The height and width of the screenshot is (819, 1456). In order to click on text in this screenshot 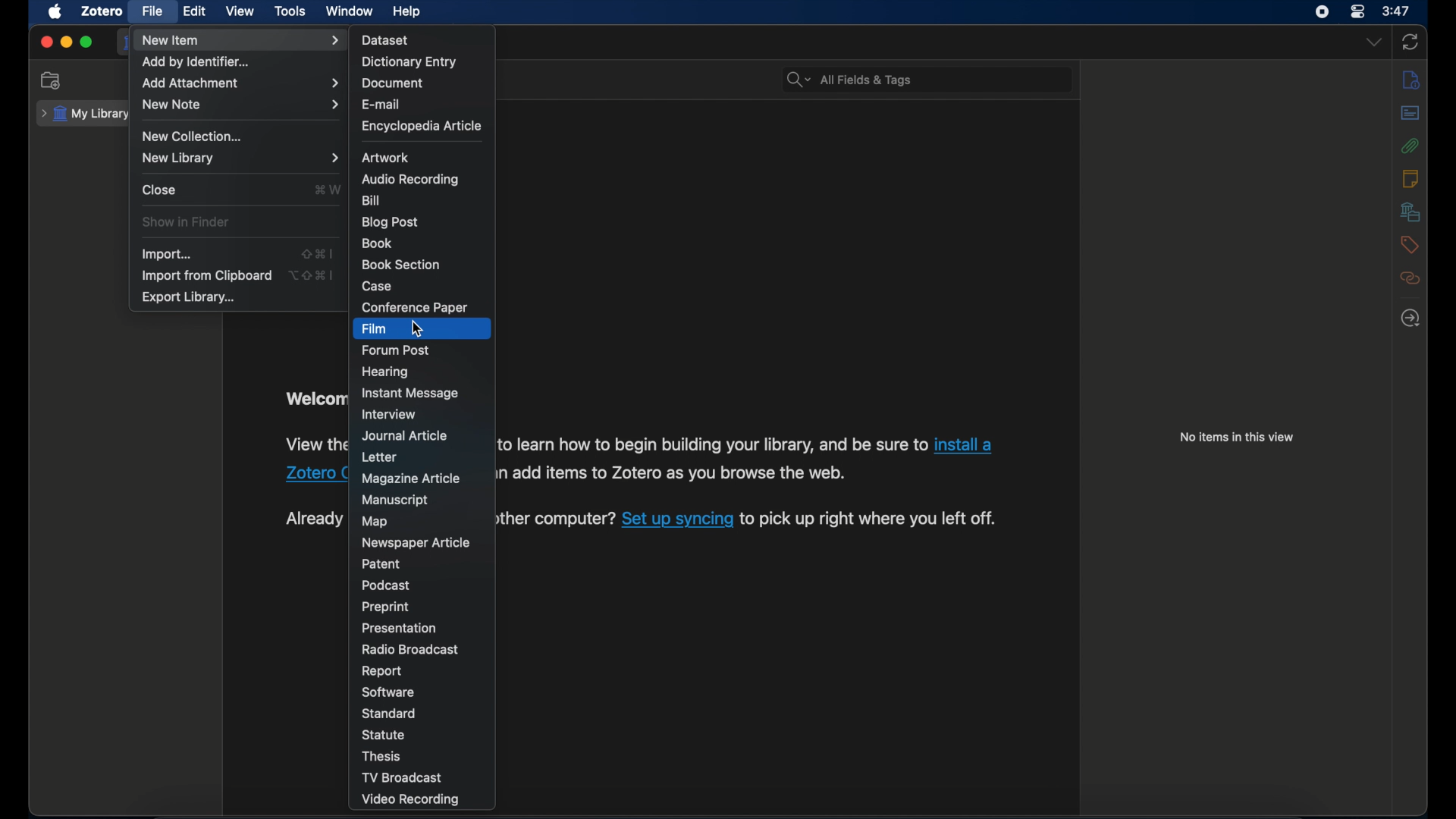, I will do `click(676, 472)`.